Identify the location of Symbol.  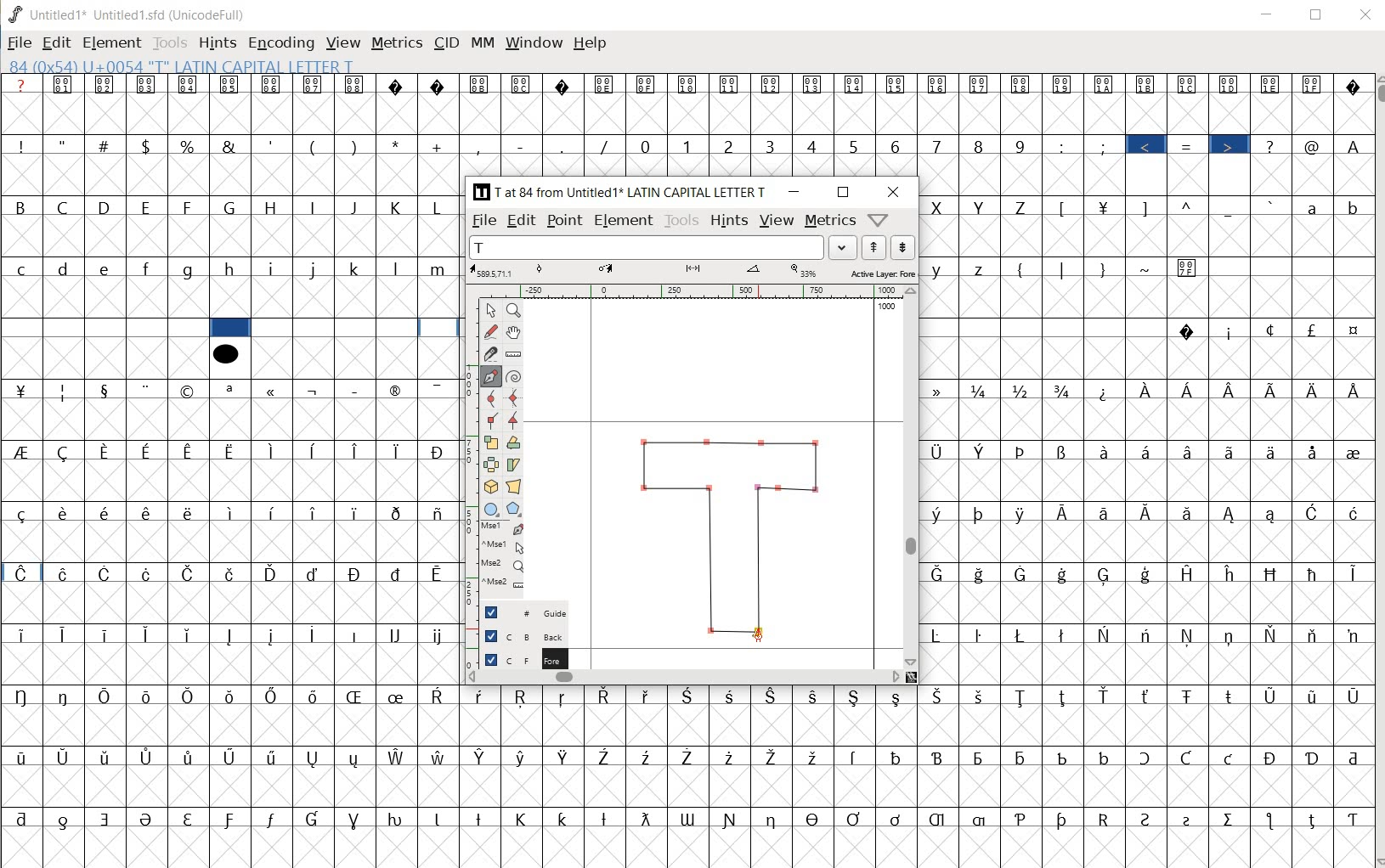
(565, 696).